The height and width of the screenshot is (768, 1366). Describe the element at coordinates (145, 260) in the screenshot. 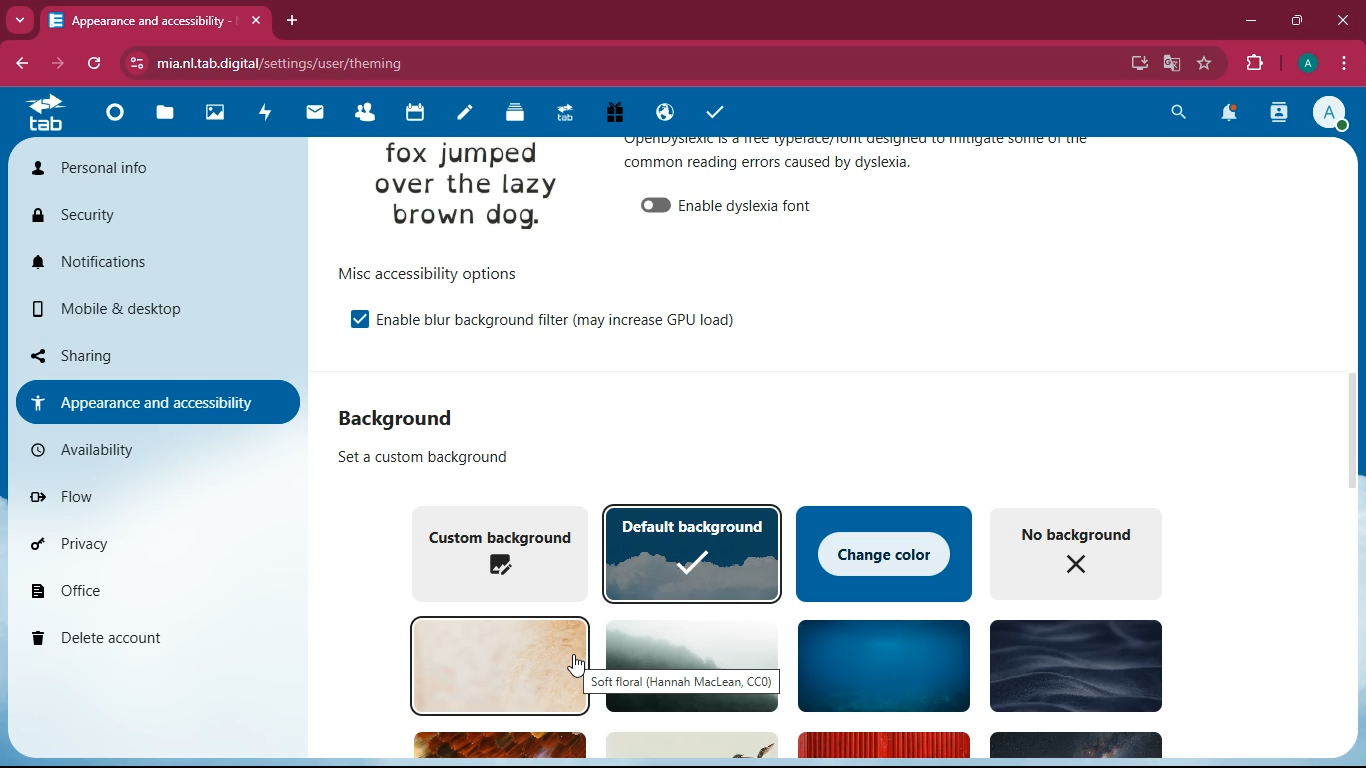

I see `notifications` at that location.